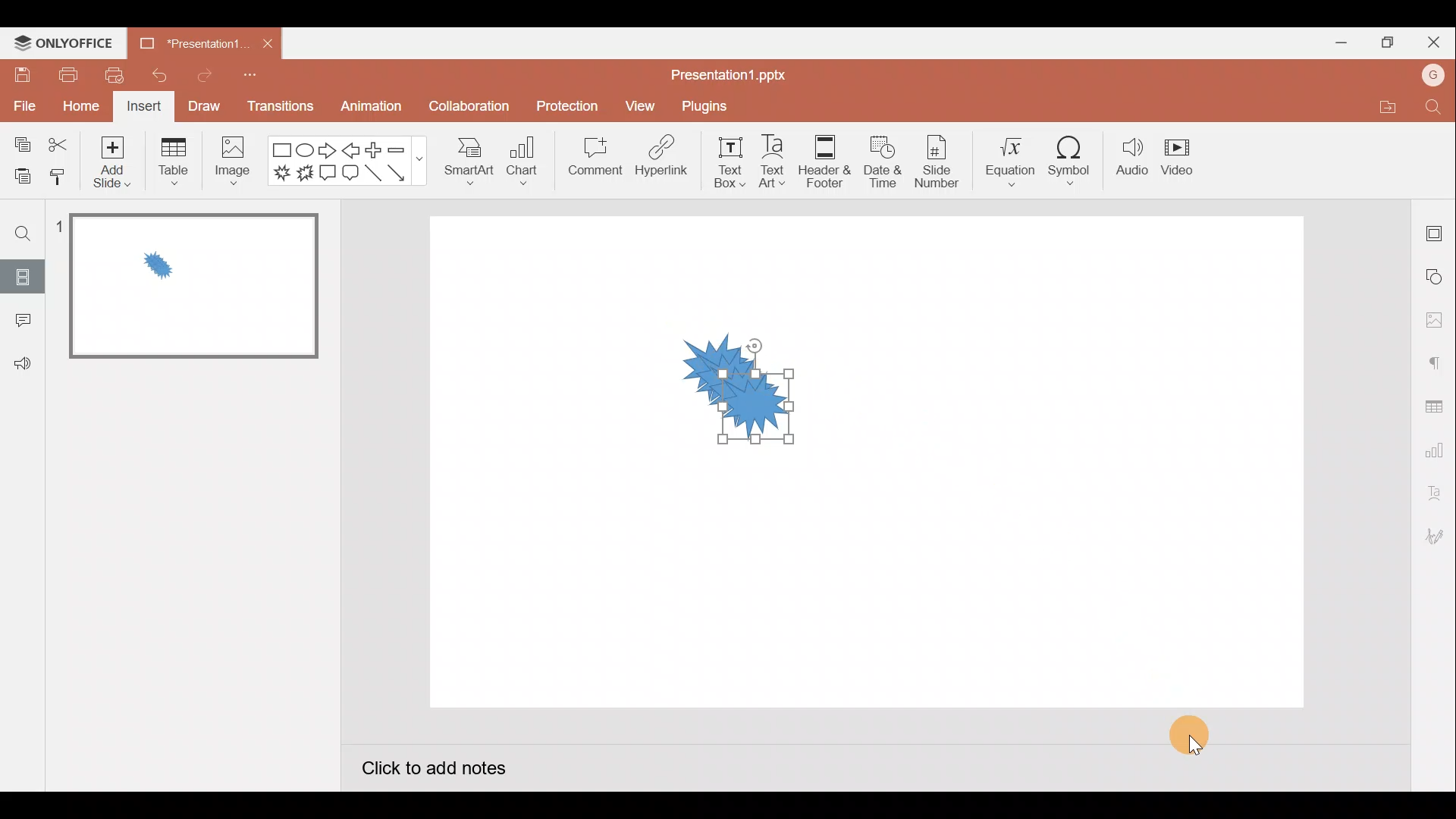 The image size is (1456, 819). Describe the element at coordinates (1197, 730) in the screenshot. I see `Cursor` at that location.